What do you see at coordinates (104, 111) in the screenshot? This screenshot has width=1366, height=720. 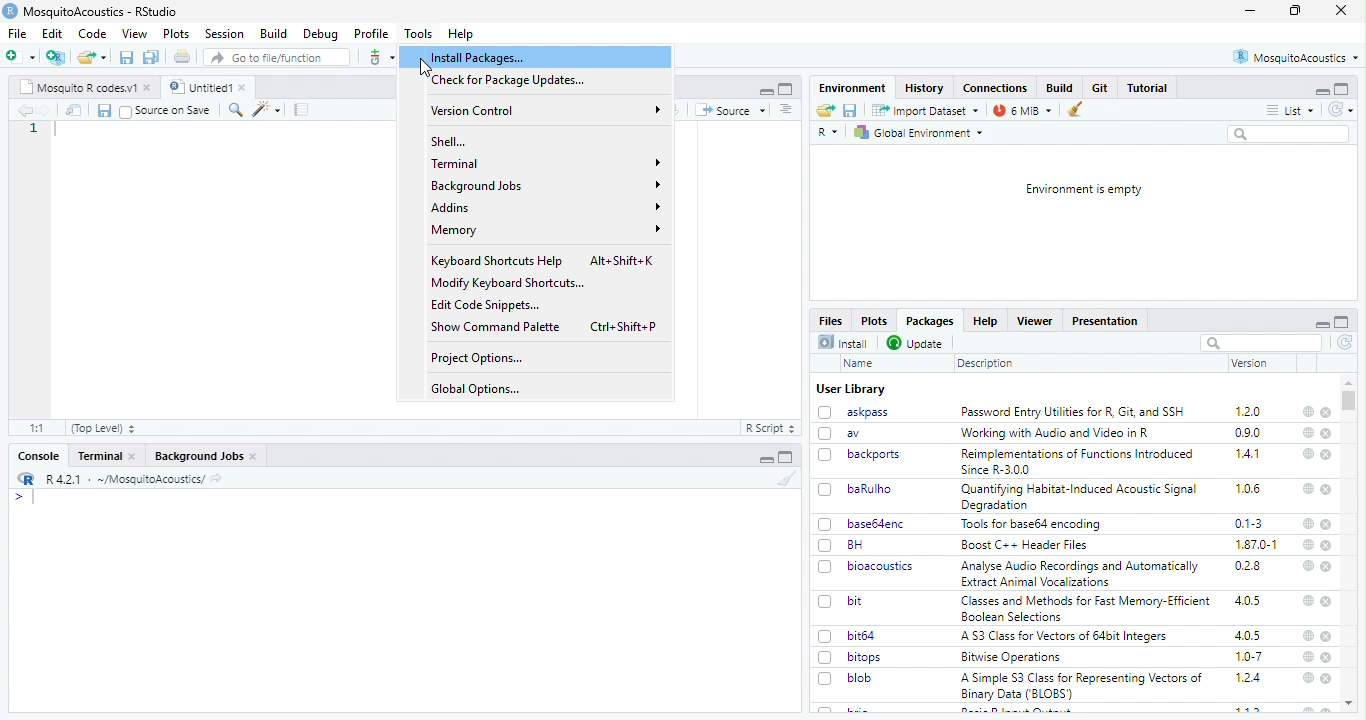 I see `save` at bounding box center [104, 111].